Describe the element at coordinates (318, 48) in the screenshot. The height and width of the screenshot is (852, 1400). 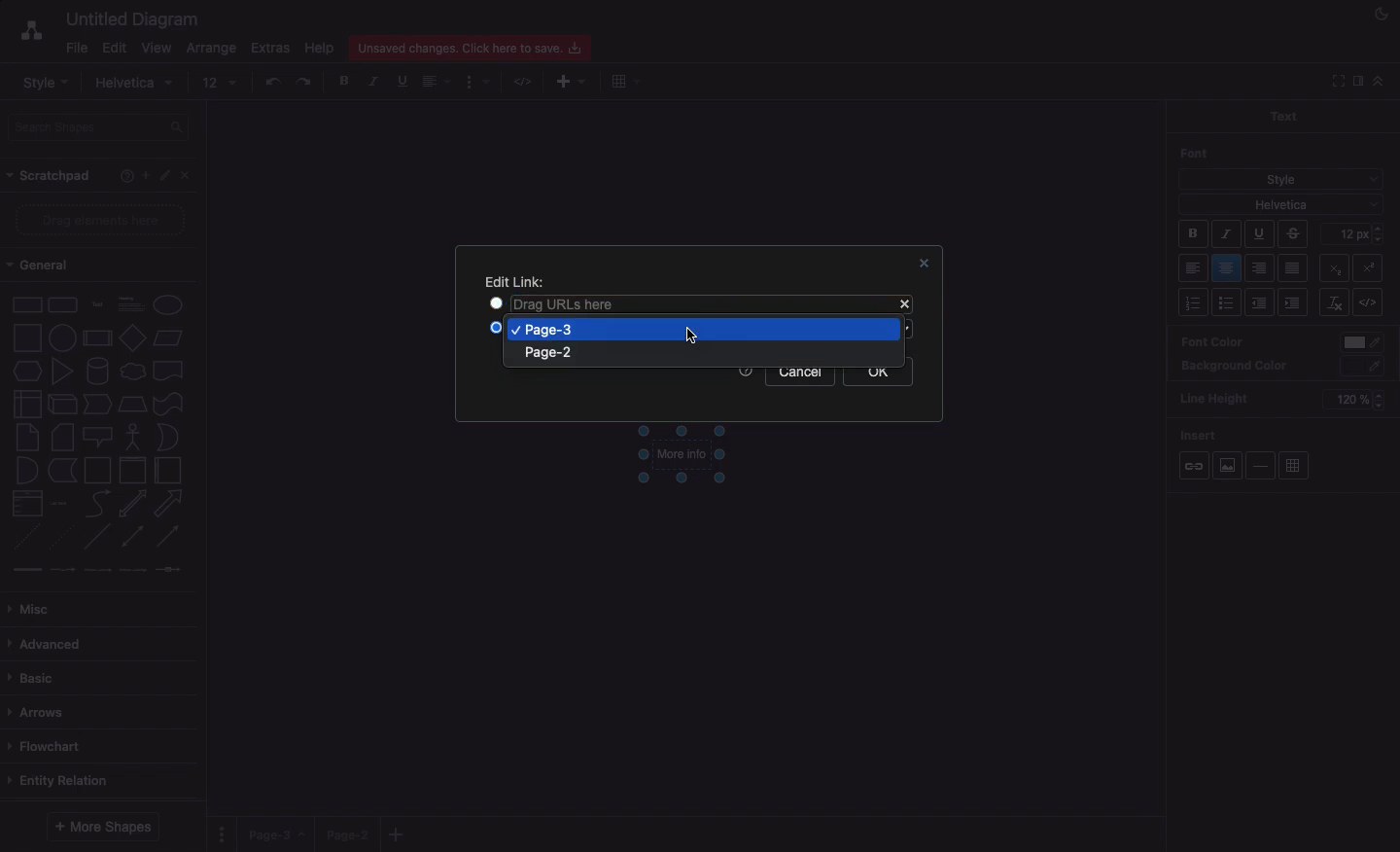
I see `Help` at that location.